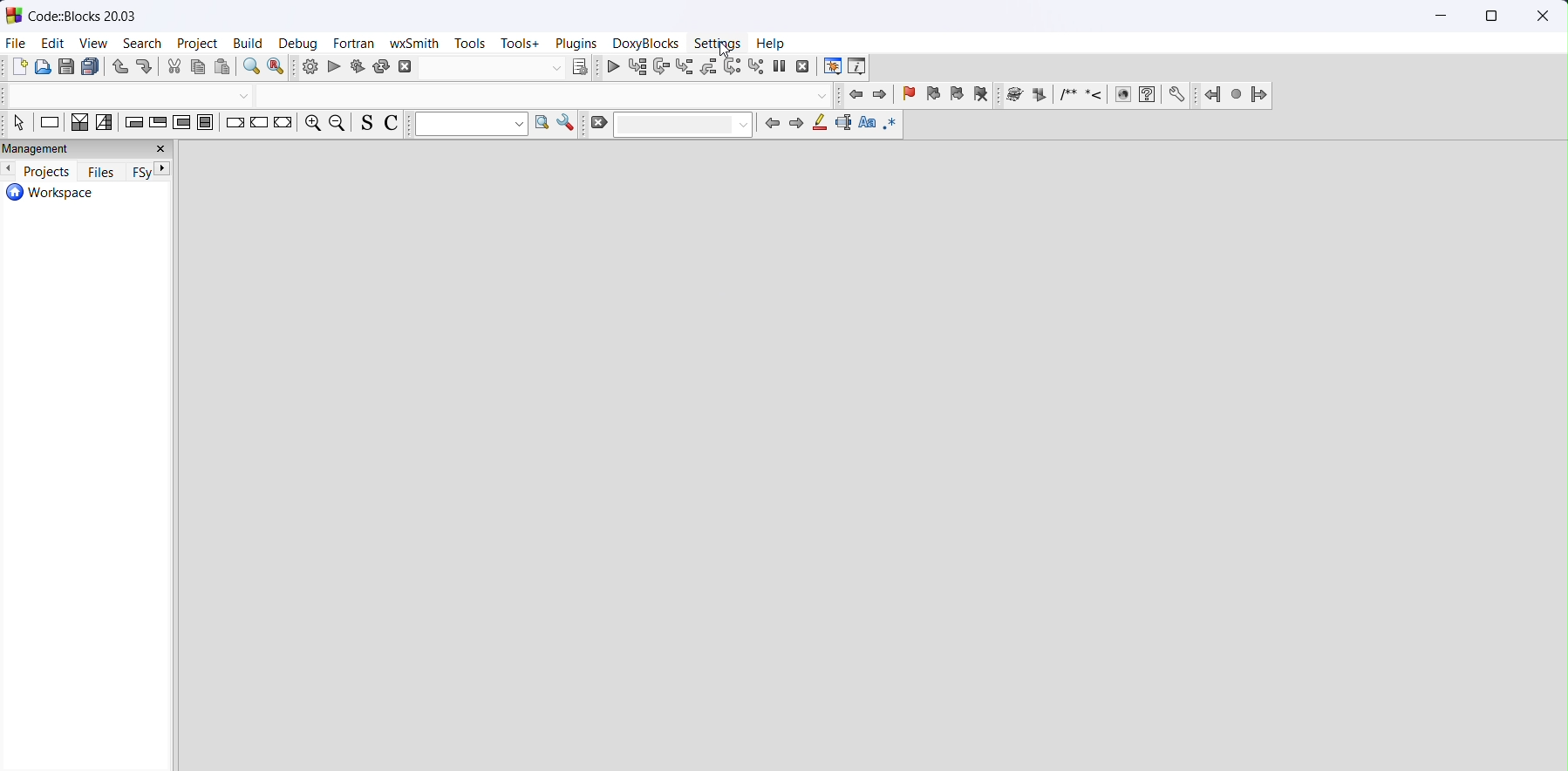  I want to click on zoom out, so click(339, 123).